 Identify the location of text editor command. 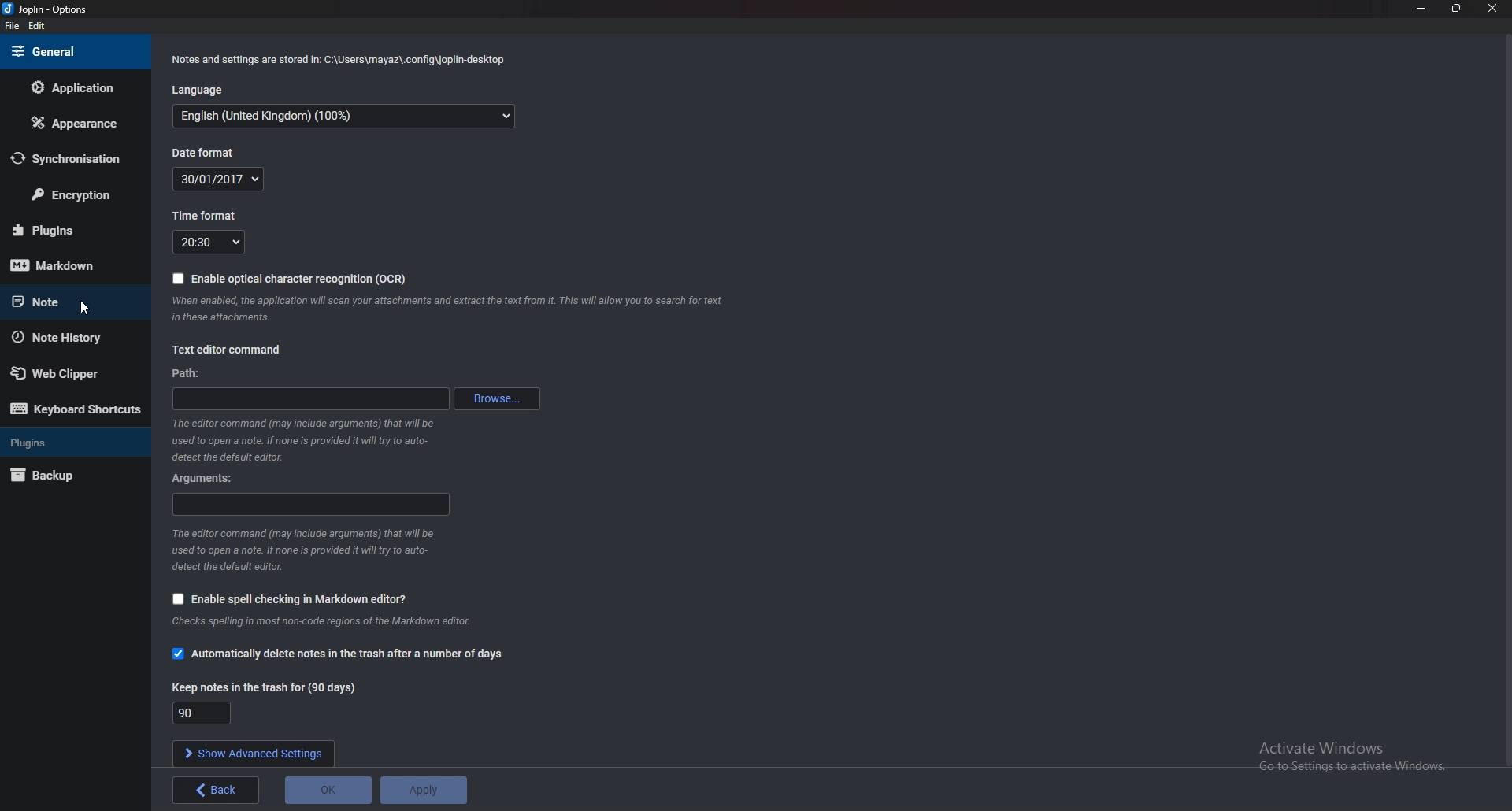
(227, 350).